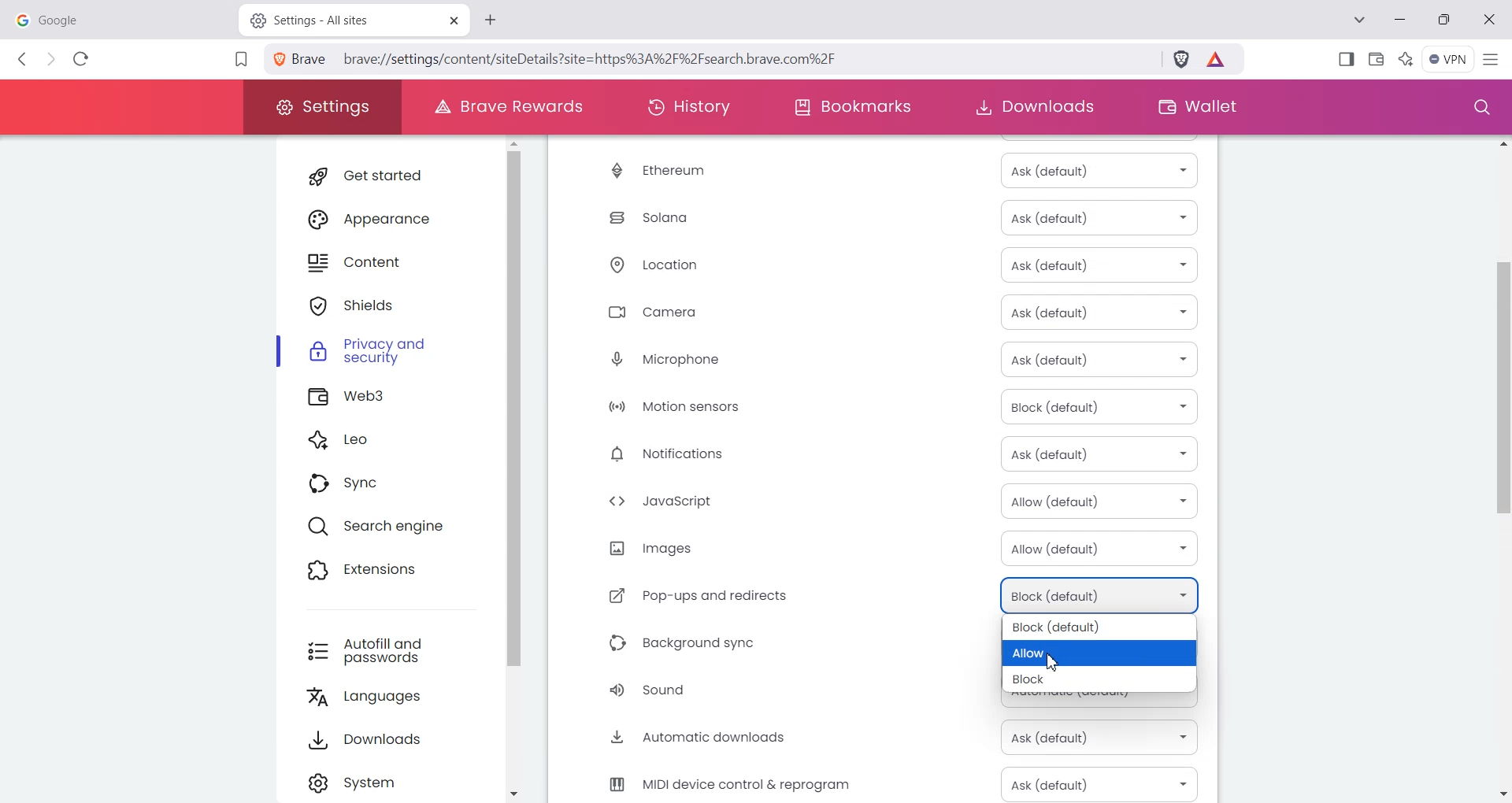  What do you see at coordinates (302, 59) in the screenshot?
I see `View site information` at bounding box center [302, 59].